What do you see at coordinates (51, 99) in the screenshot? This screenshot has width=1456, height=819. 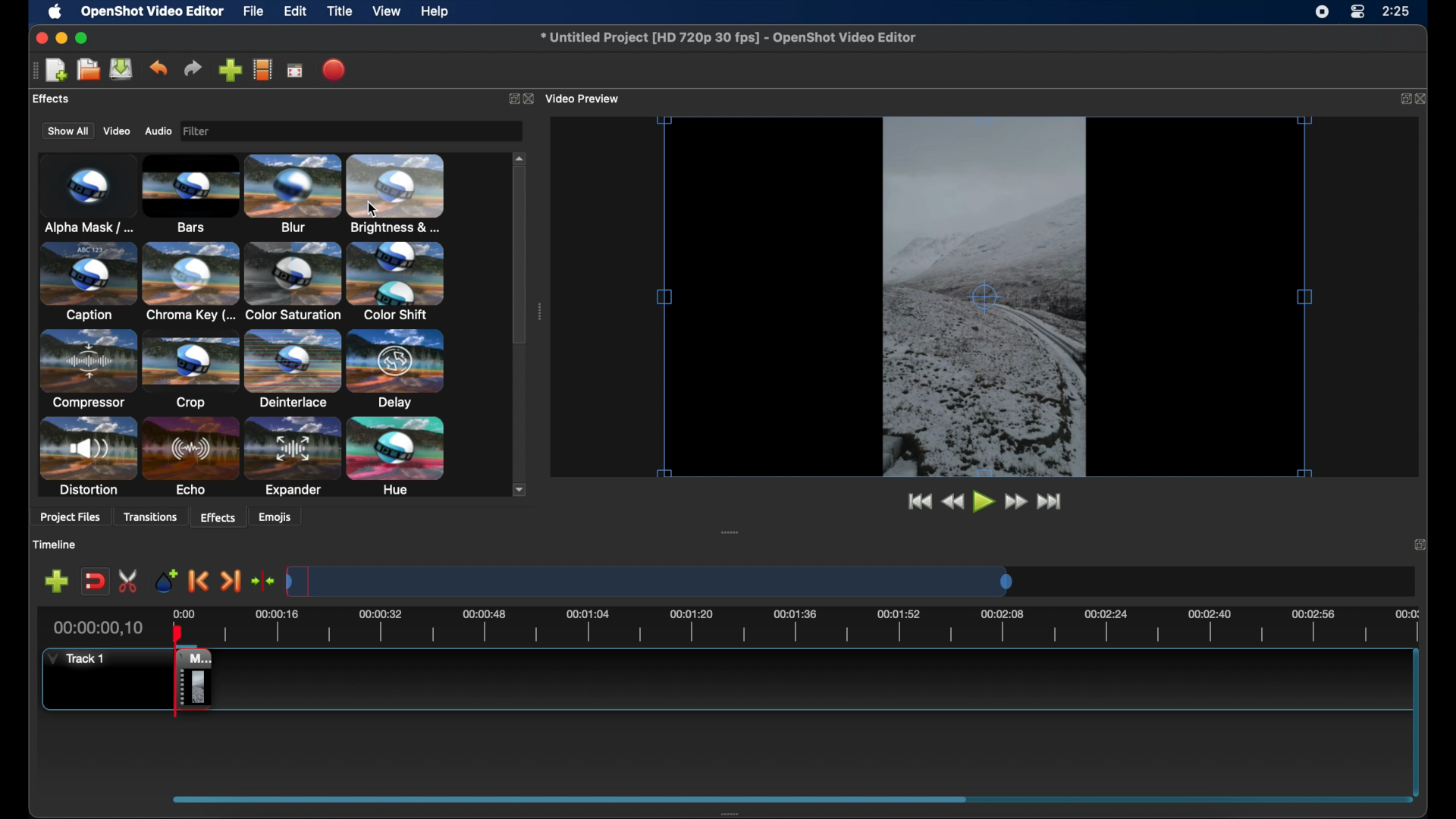 I see `effects` at bounding box center [51, 99].